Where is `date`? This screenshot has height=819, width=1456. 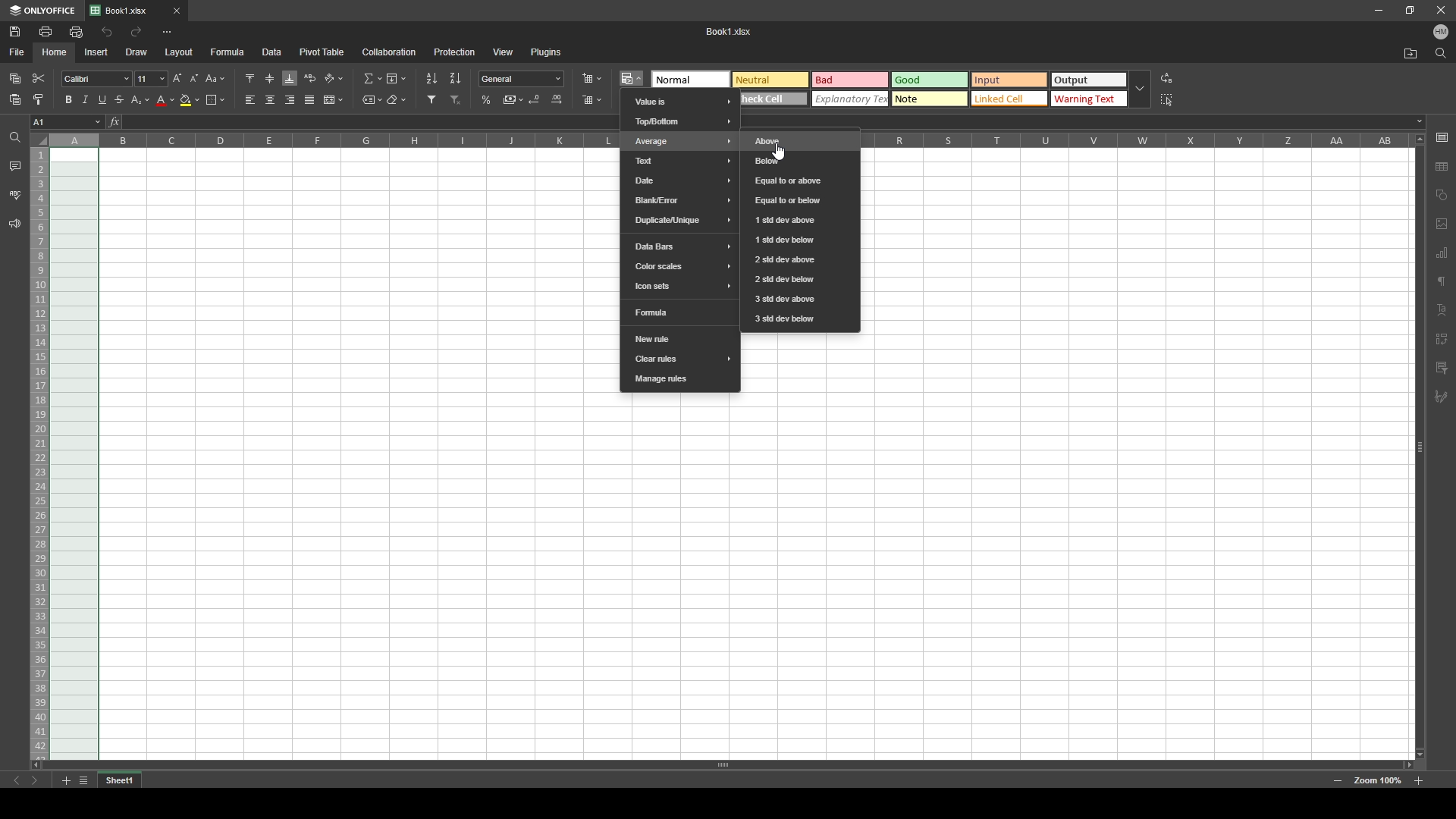 date is located at coordinates (681, 180).